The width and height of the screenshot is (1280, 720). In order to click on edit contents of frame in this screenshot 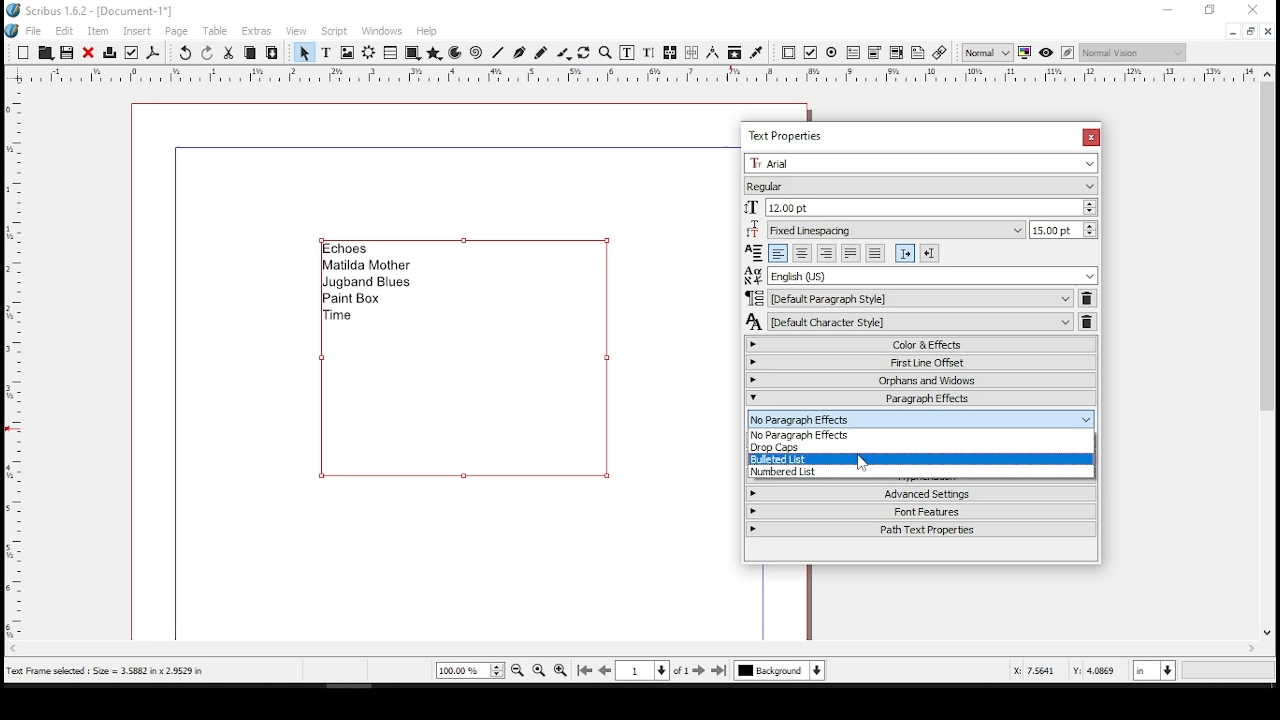, I will do `click(626, 53)`.